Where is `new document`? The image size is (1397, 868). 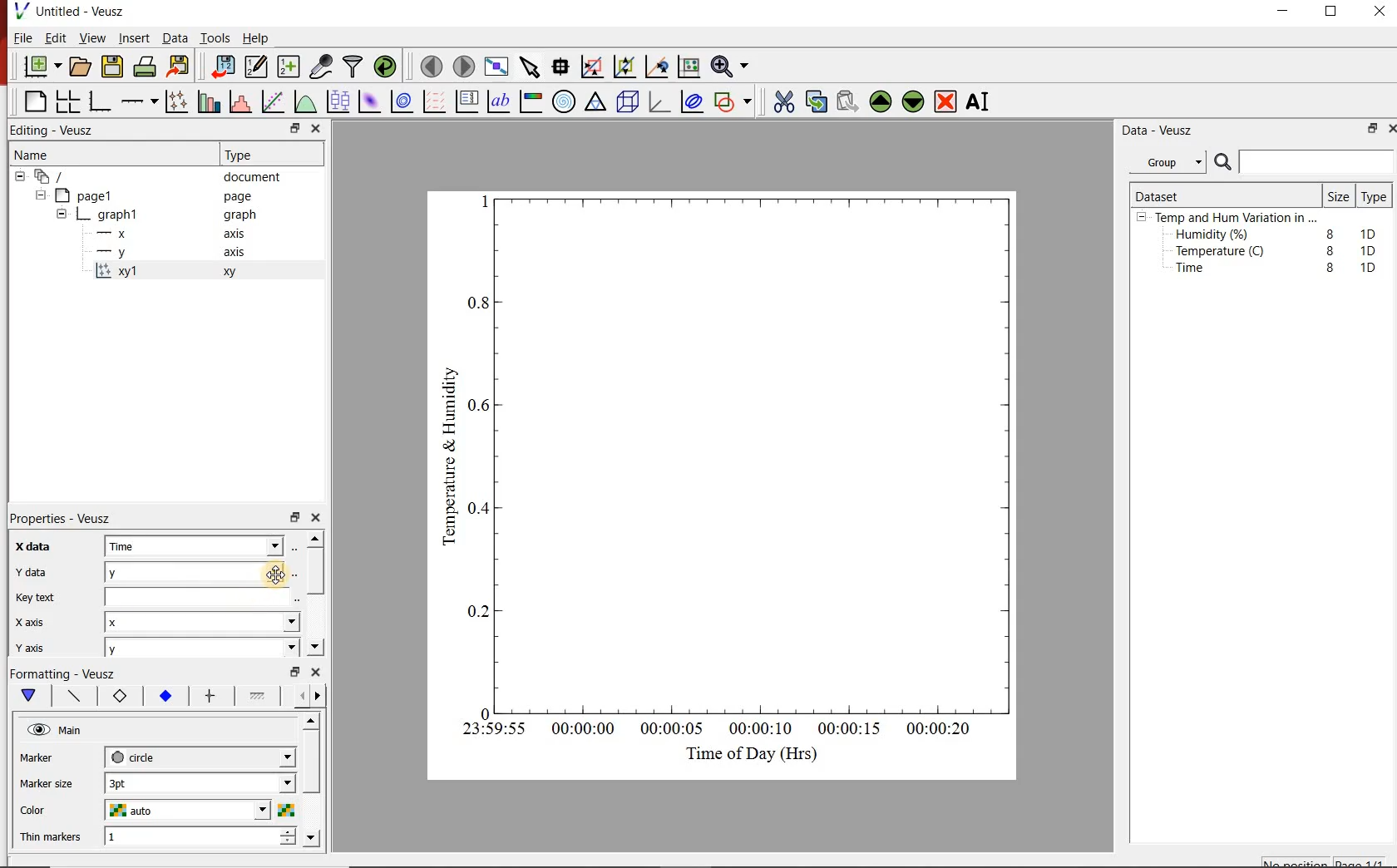
new document is located at coordinates (41, 67).